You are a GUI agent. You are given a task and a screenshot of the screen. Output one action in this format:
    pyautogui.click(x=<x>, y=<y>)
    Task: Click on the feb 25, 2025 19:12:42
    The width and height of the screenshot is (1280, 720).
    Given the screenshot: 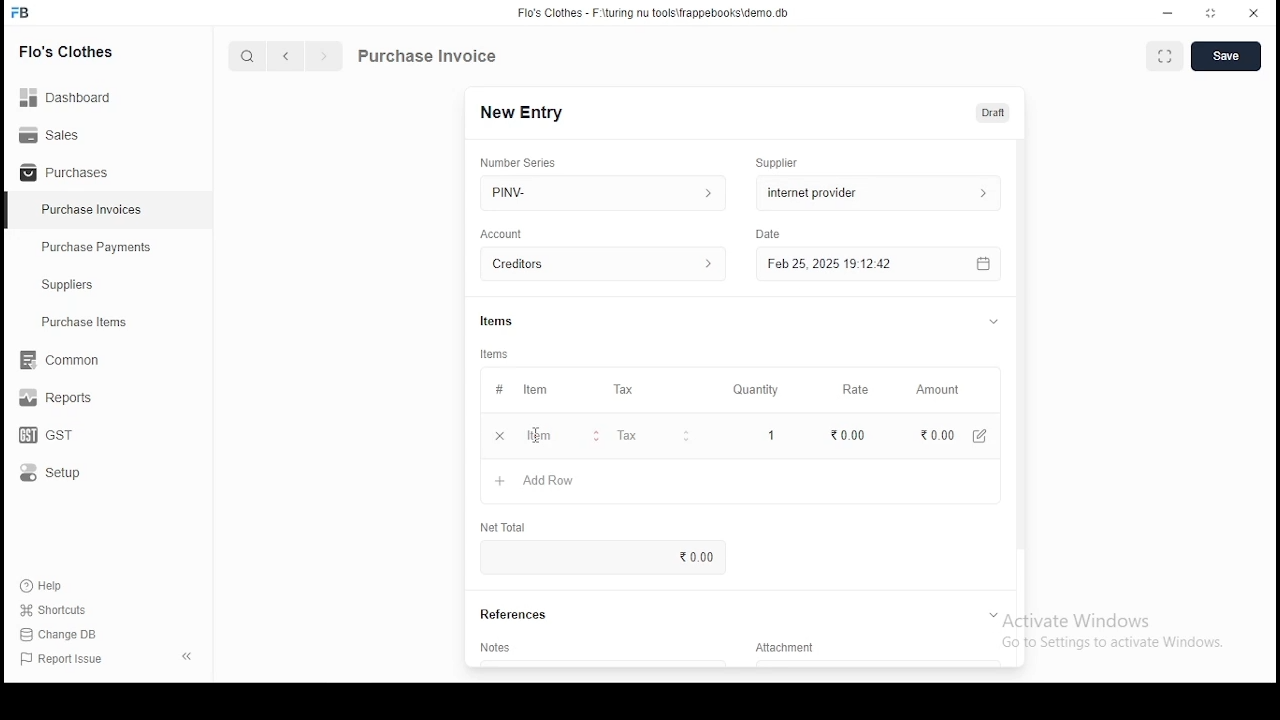 What is the action you would take?
    pyautogui.click(x=877, y=264)
    